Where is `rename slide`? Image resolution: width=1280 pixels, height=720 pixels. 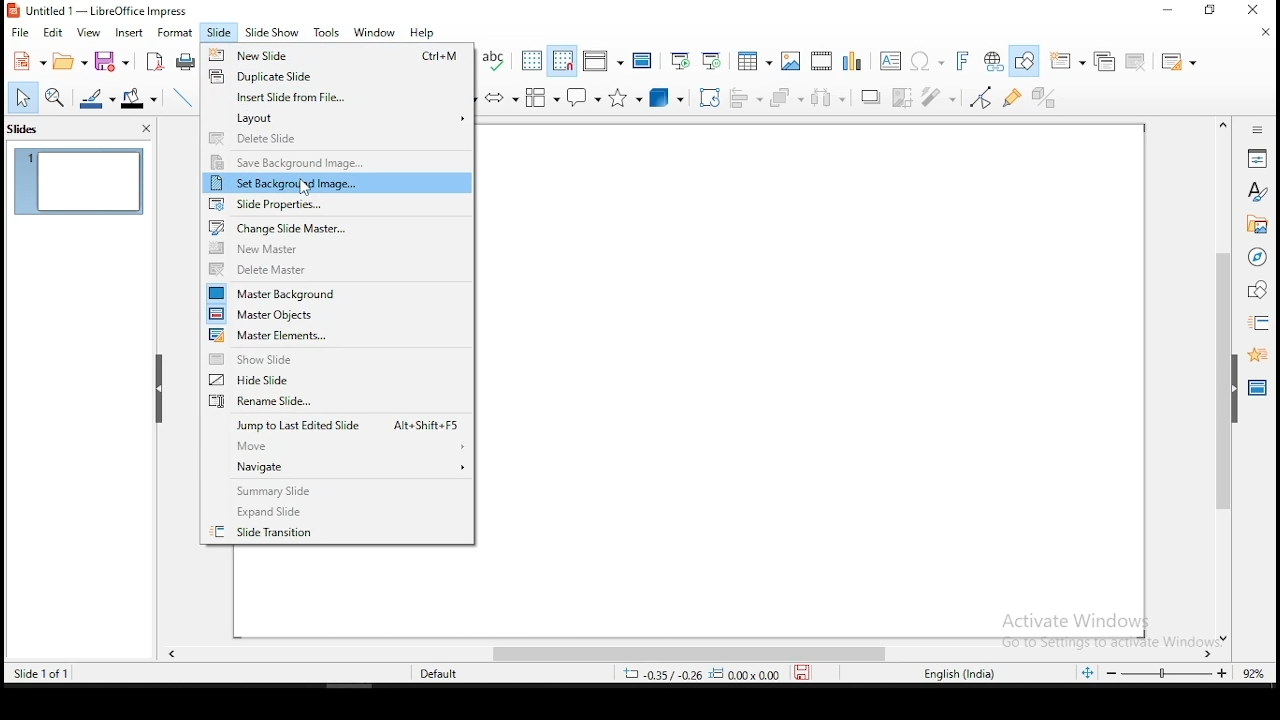
rename slide is located at coordinates (335, 403).